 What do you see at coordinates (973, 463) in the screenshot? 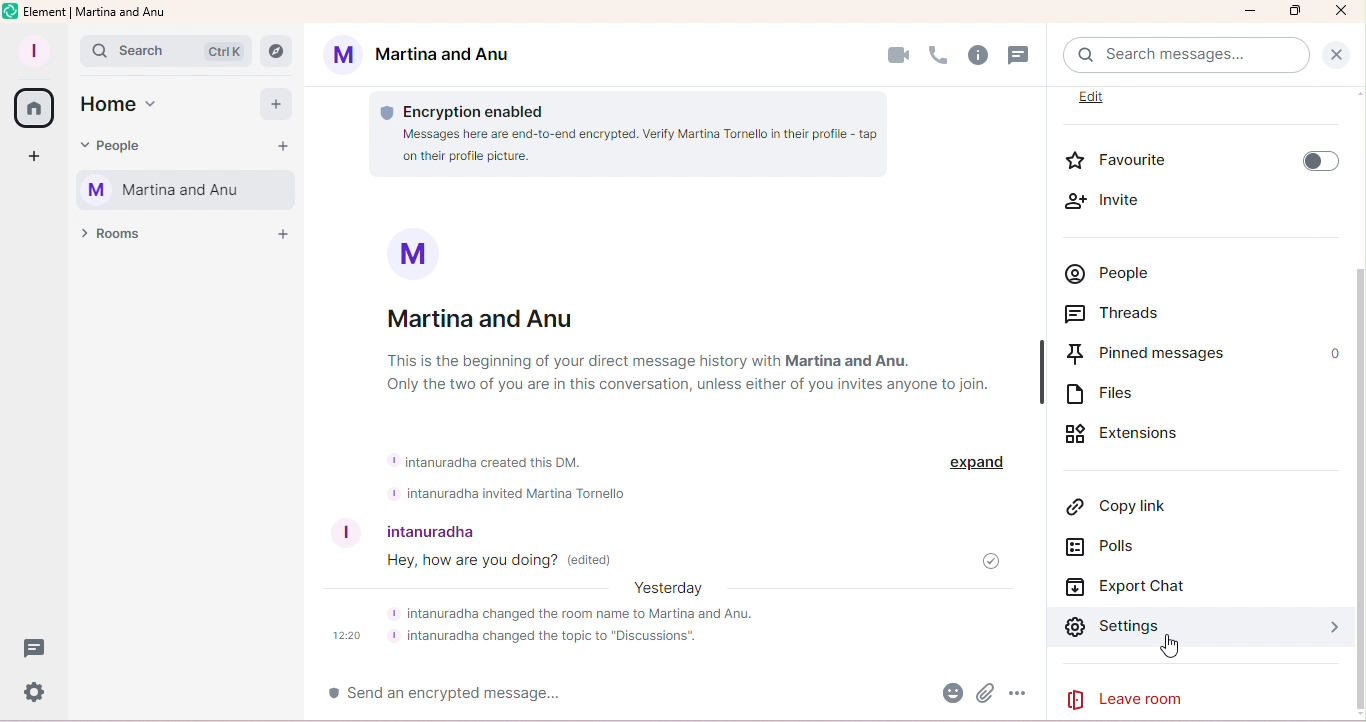
I see `expand` at bounding box center [973, 463].